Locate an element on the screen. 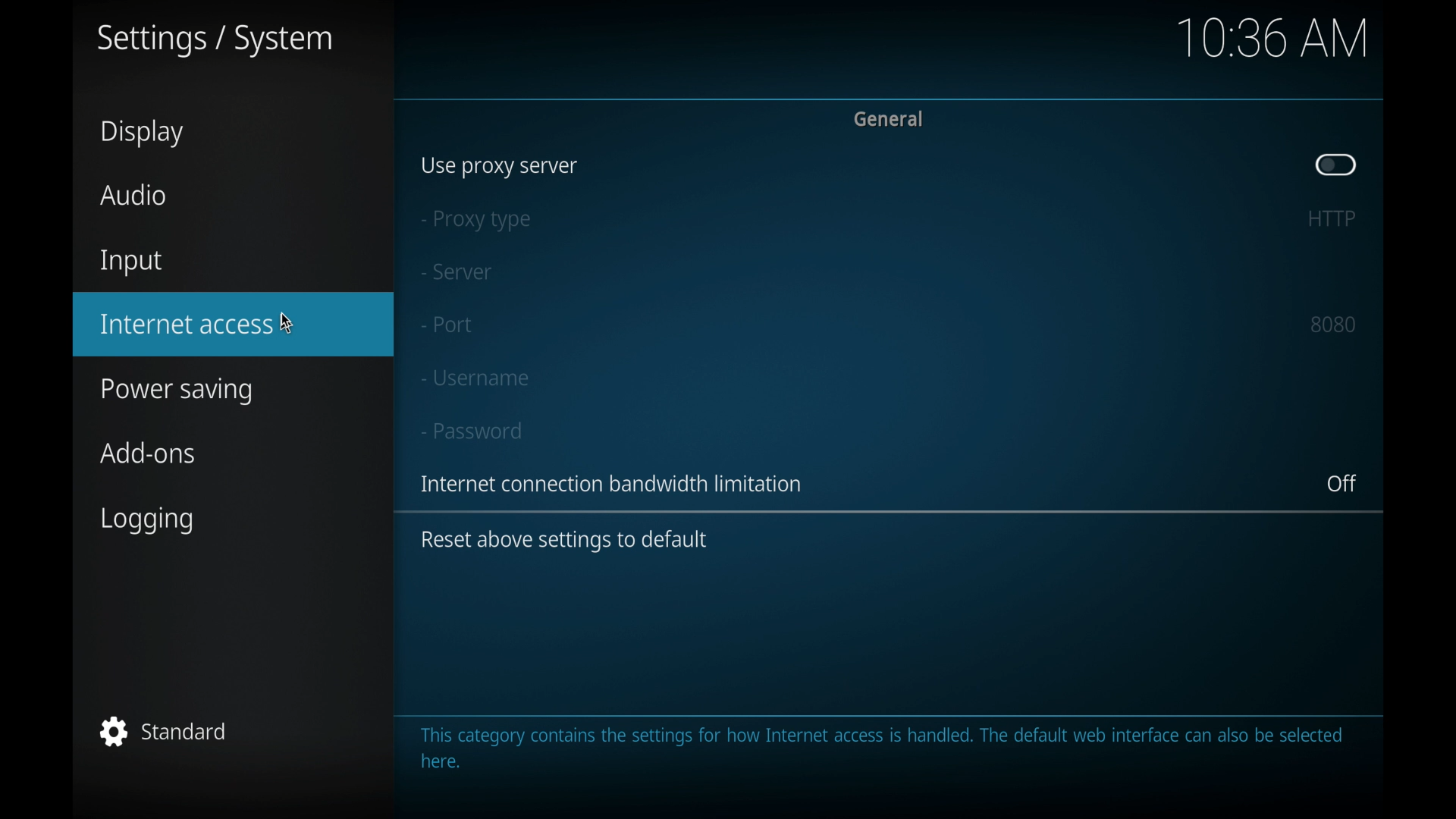  general is located at coordinates (890, 118).